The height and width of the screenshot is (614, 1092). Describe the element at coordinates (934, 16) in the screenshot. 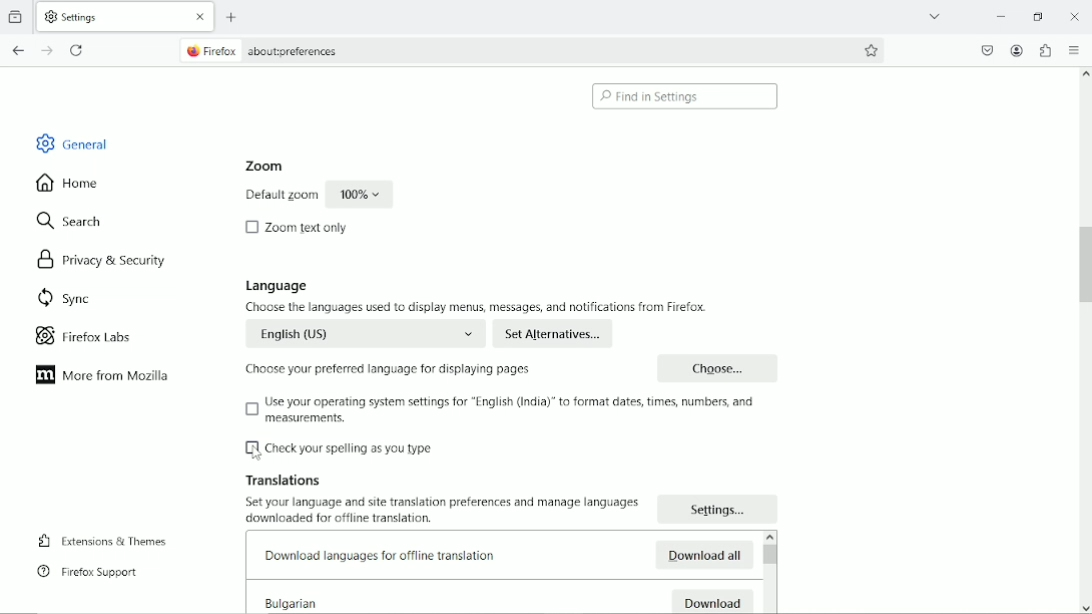

I see `list all tabs` at that location.